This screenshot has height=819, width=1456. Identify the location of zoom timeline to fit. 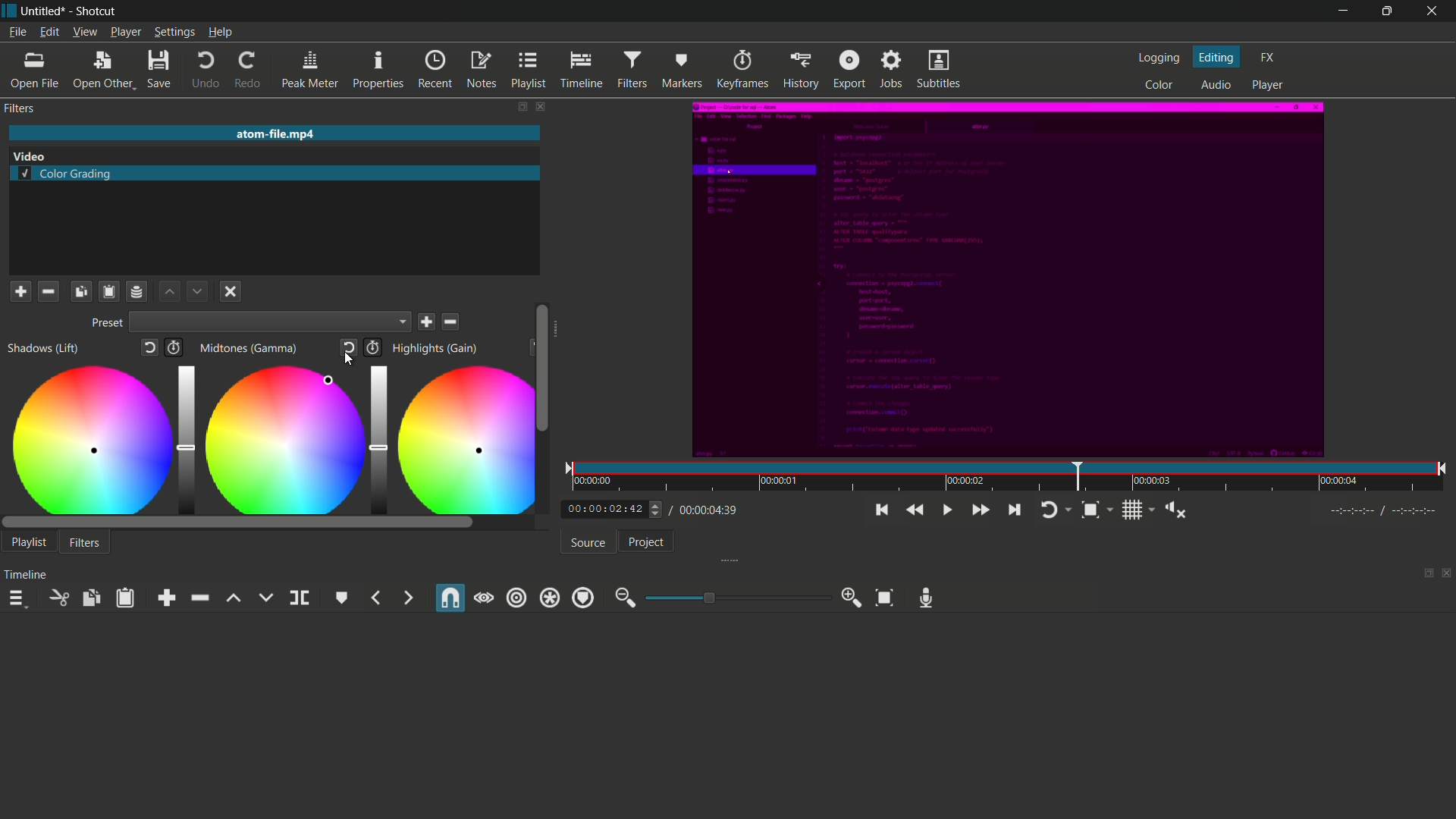
(1096, 509).